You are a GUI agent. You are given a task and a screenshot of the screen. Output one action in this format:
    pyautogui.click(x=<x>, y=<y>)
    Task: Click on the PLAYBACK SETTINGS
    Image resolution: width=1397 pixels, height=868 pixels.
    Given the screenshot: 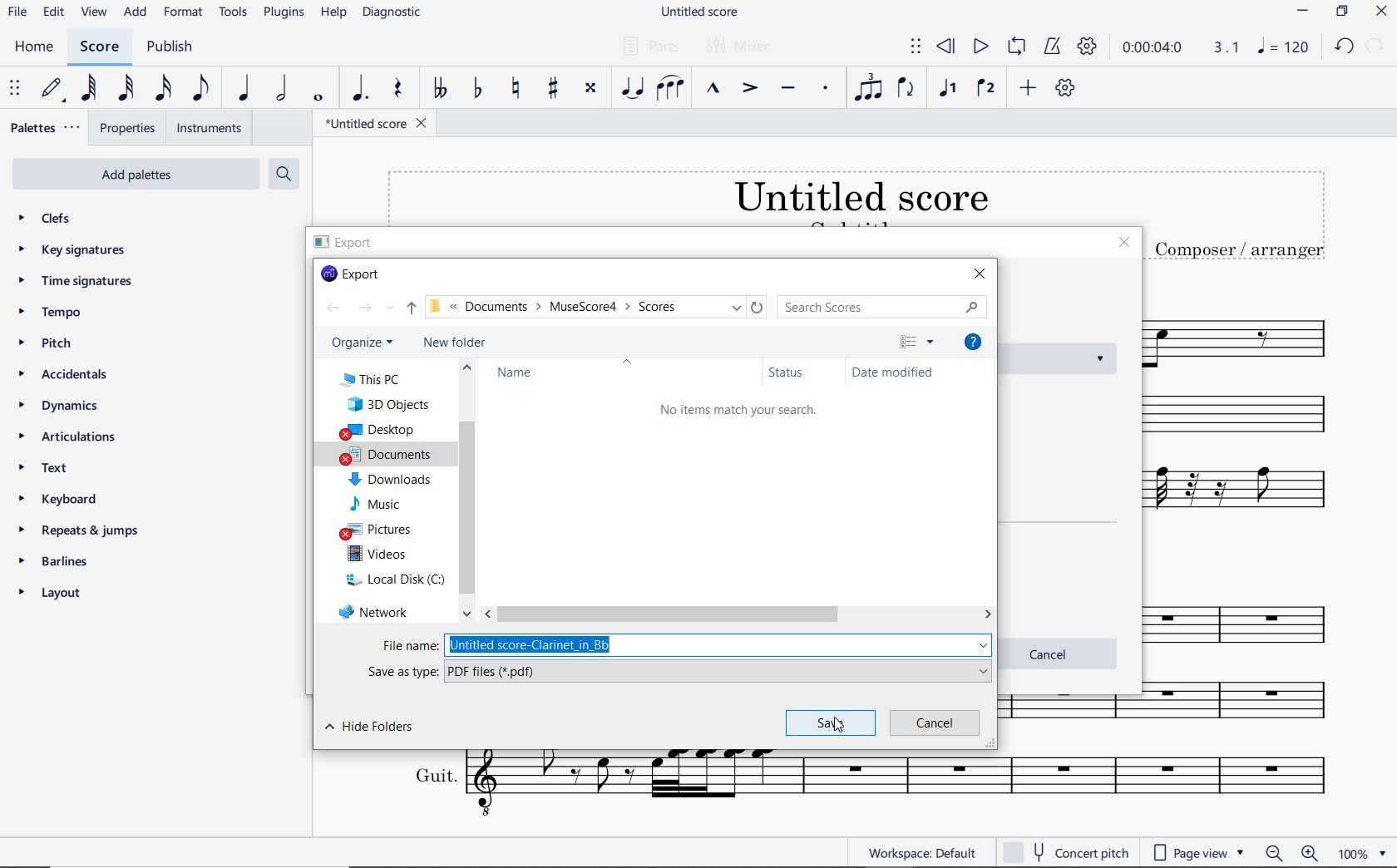 What is the action you would take?
    pyautogui.click(x=1089, y=48)
    